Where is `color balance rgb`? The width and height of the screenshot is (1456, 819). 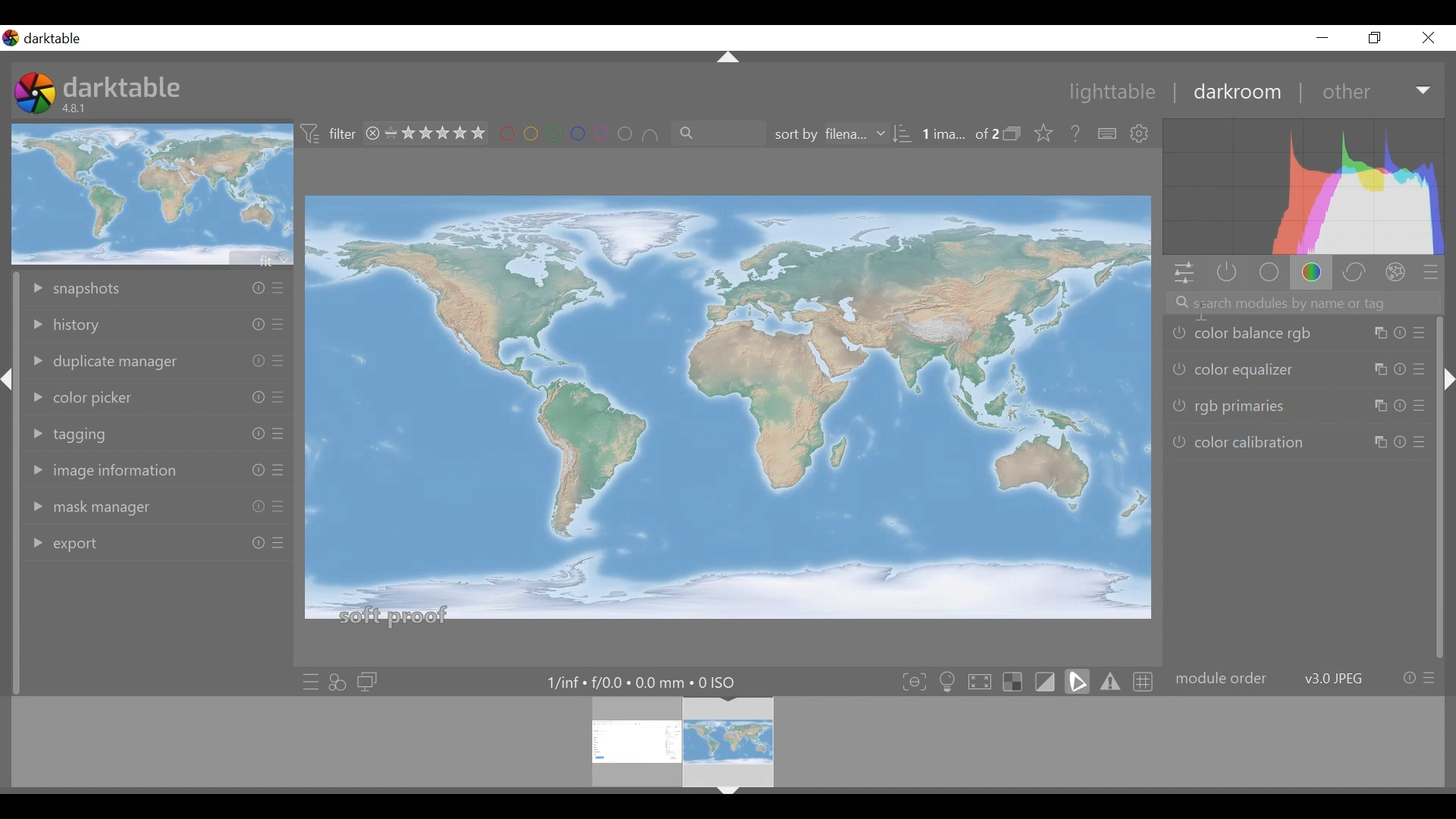
color balance rgb is located at coordinates (1245, 336).